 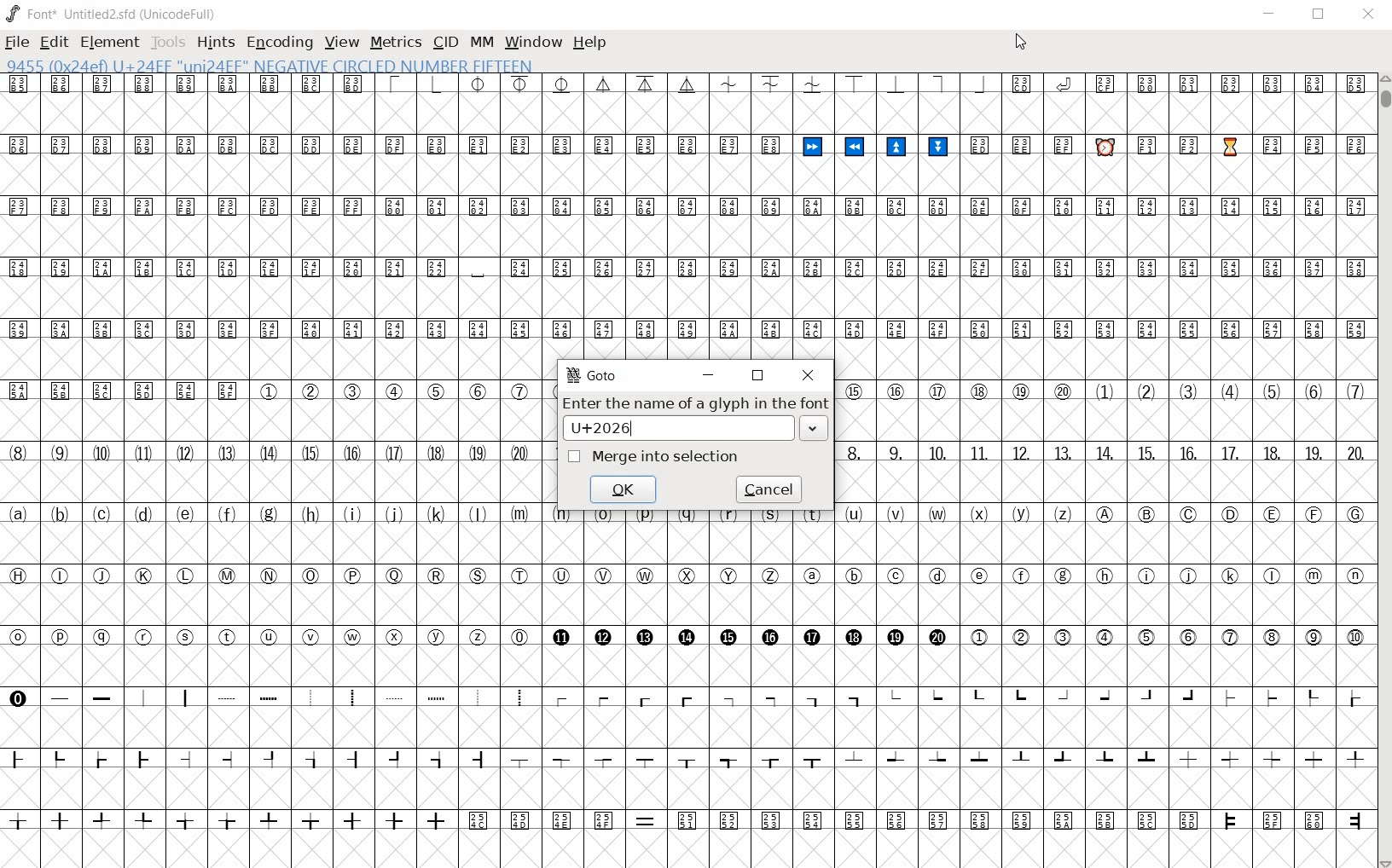 I want to click on GLYPHS, so click(x=270, y=464).